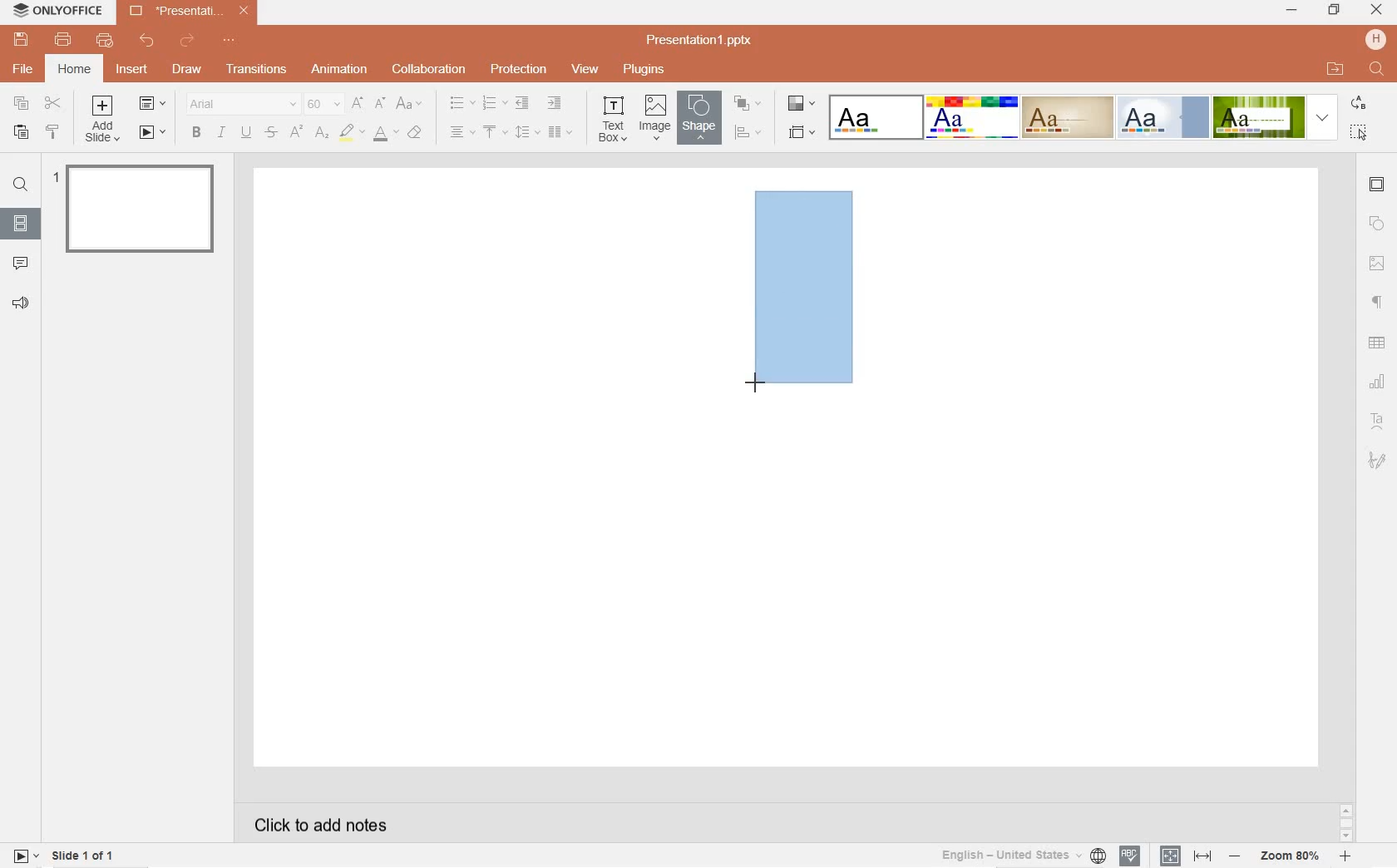 This screenshot has height=868, width=1397. What do you see at coordinates (1330, 10) in the screenshot?
I see `RESTORE` at bounding box center [1330, 10].